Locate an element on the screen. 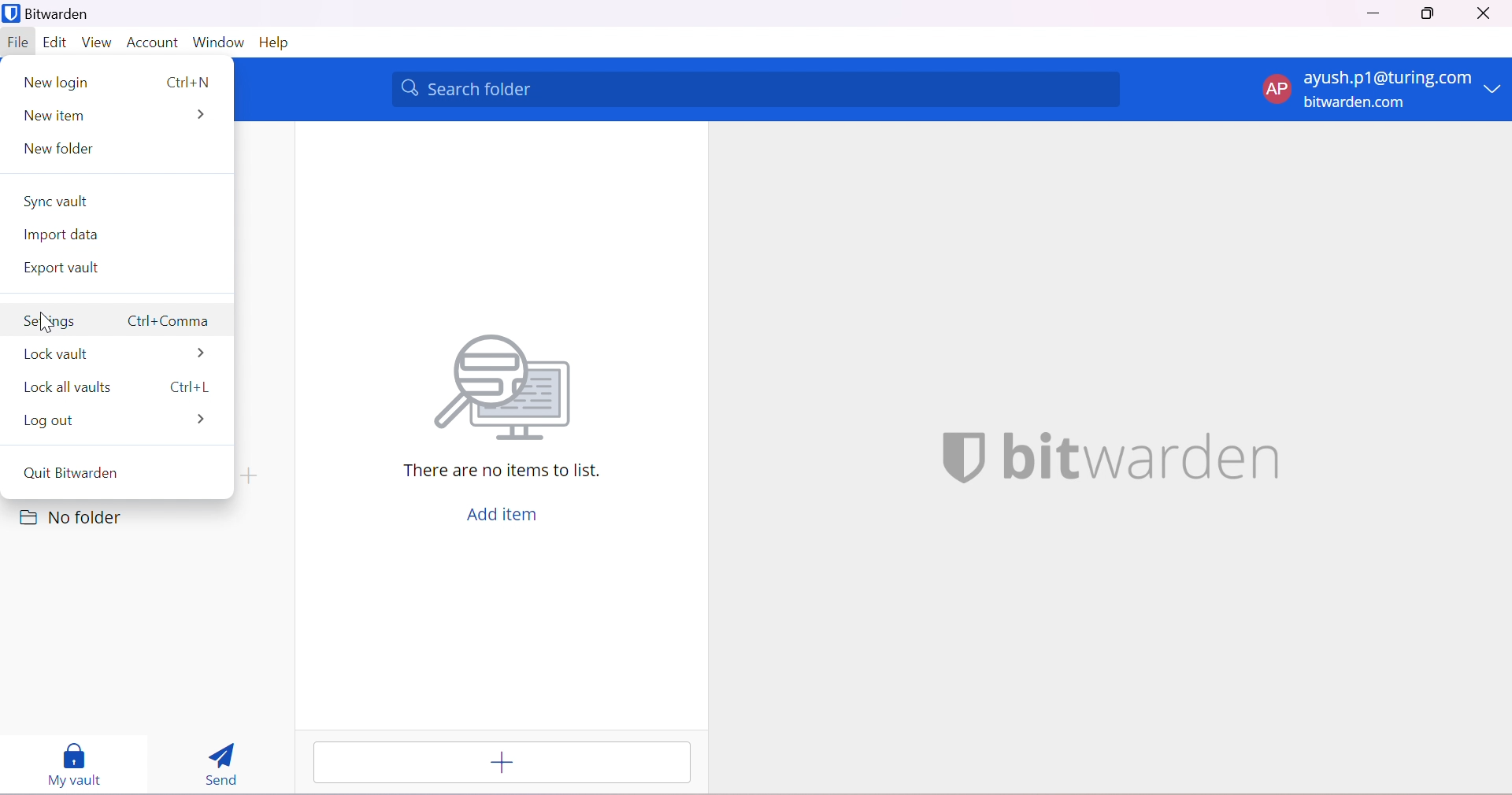 The image size is (1512, 795). create folder is located at coordinates (250, 477).